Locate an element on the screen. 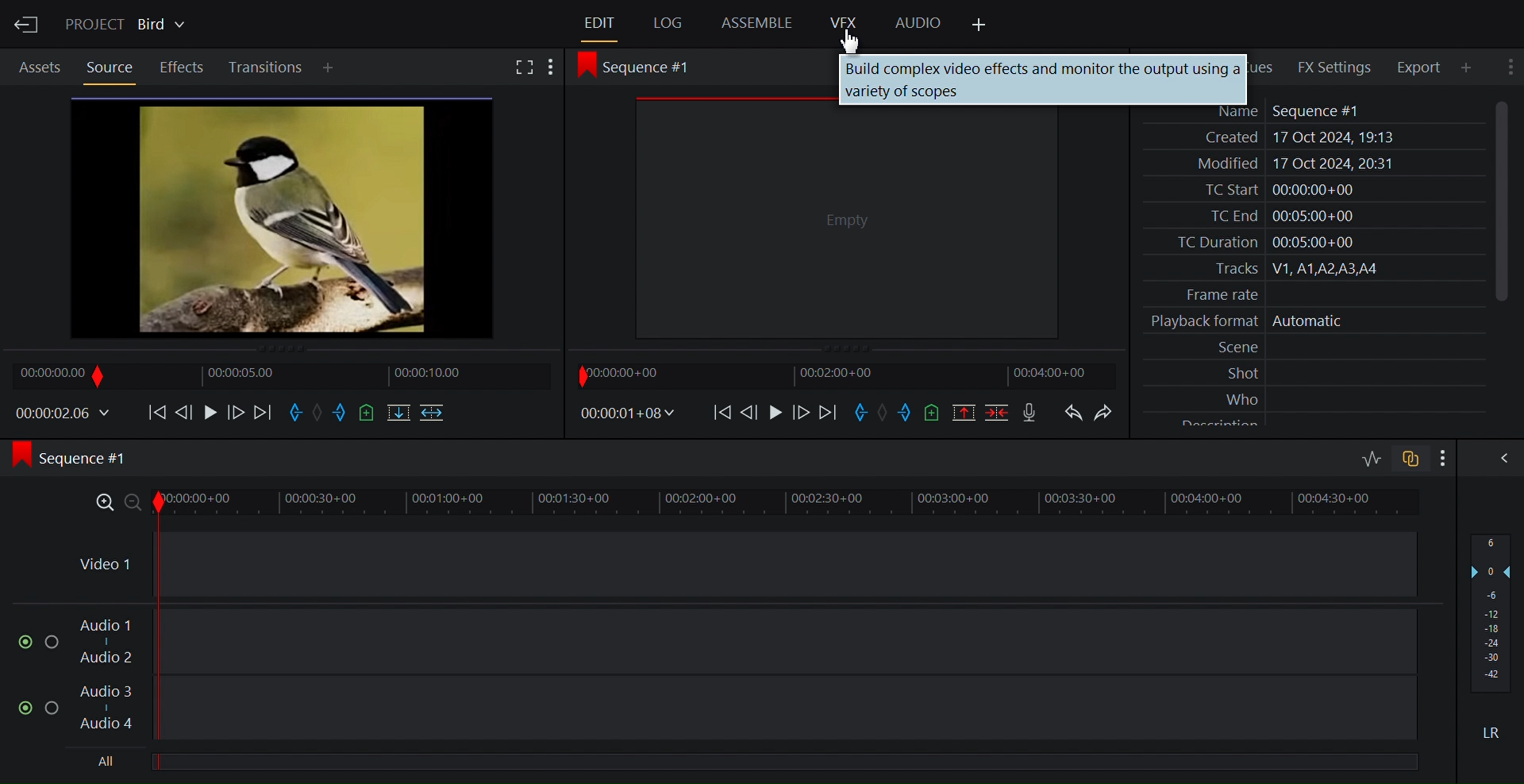 The image size is (1524, 784). Show settings menu is located at coordinates (556, 66).